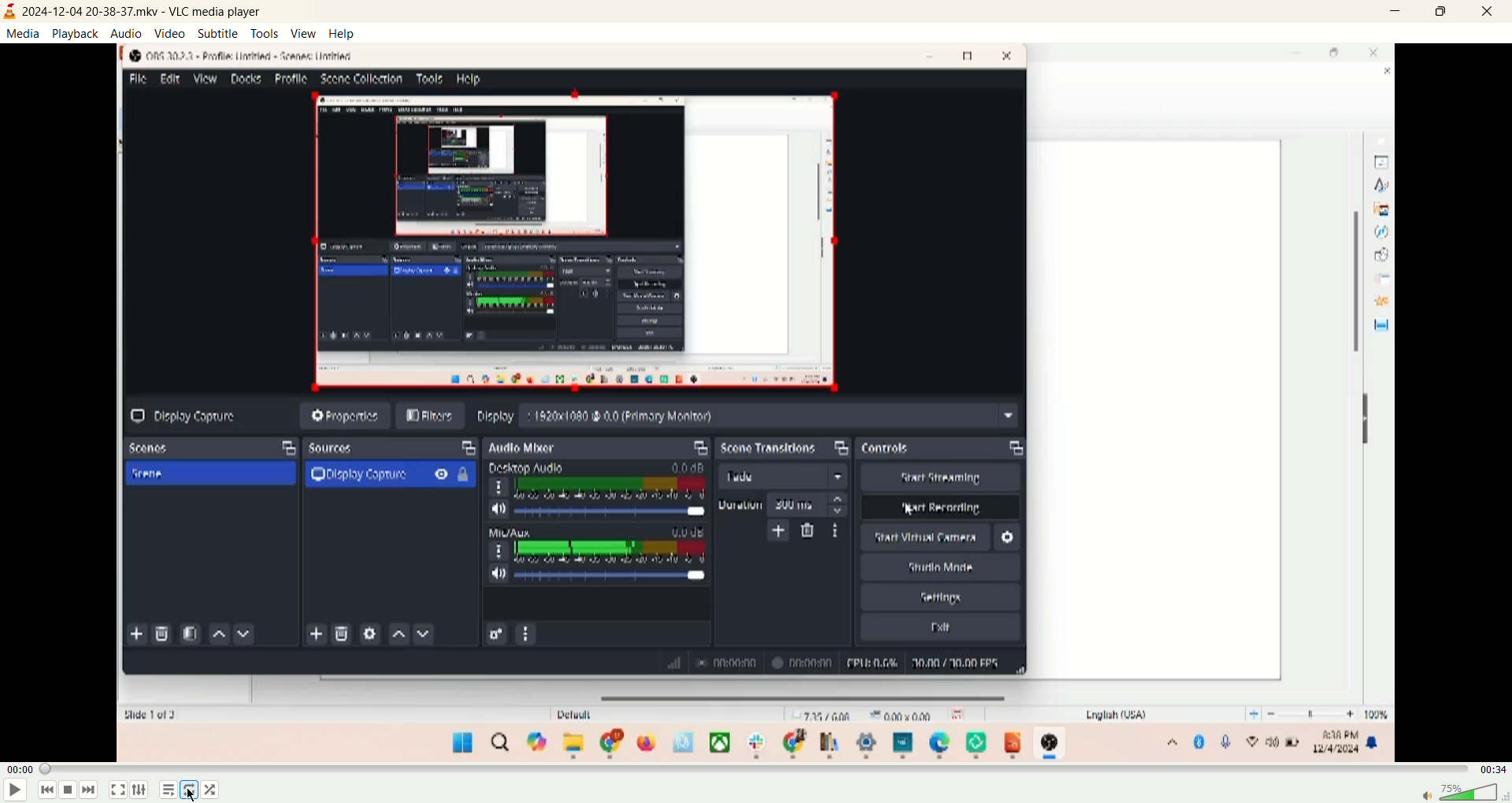 The image size is (1512, 803). I want to click on progress bar, so click(754, 771).